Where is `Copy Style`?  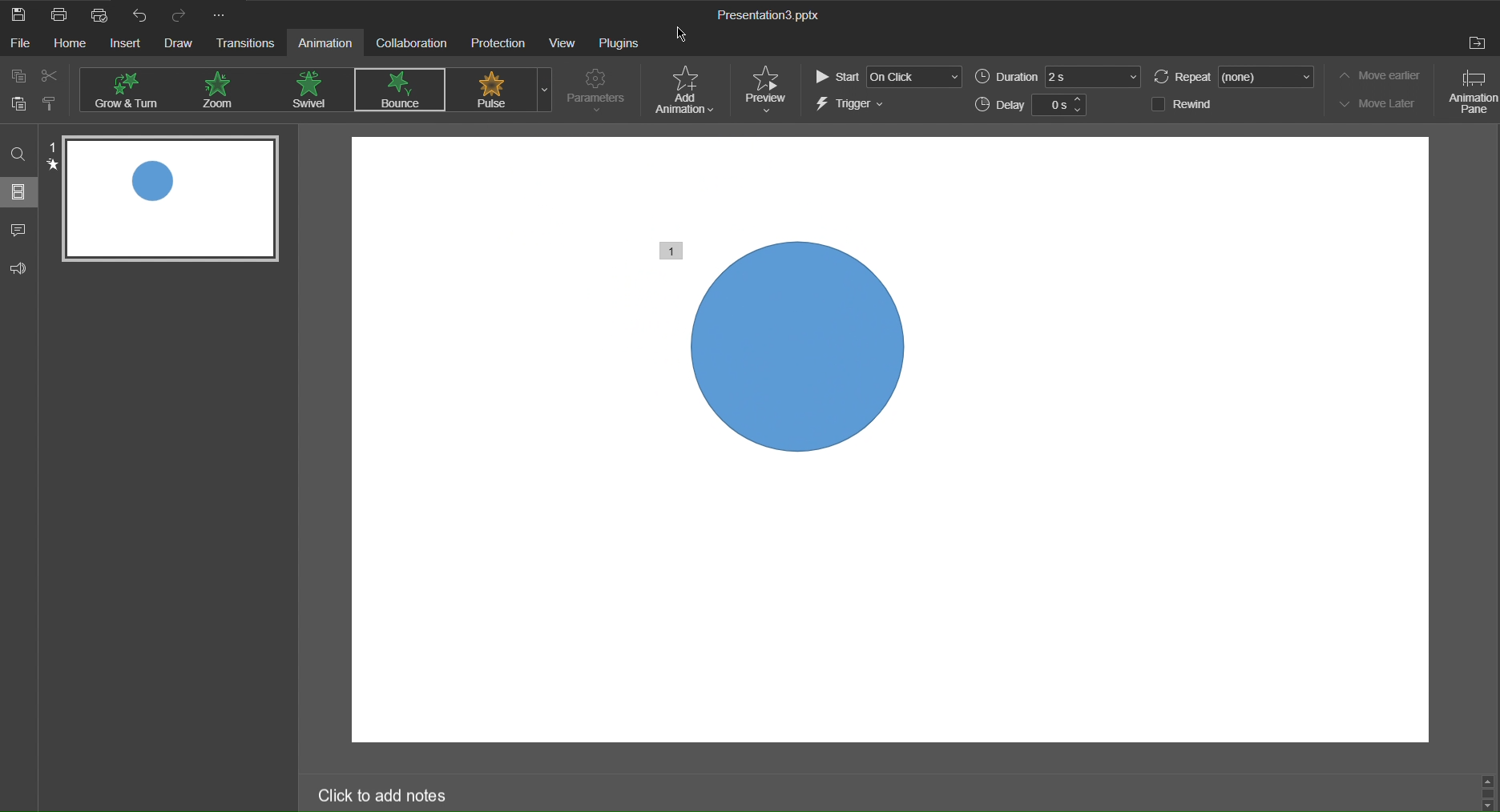 Copy Style is located at coordinates (58, 106).